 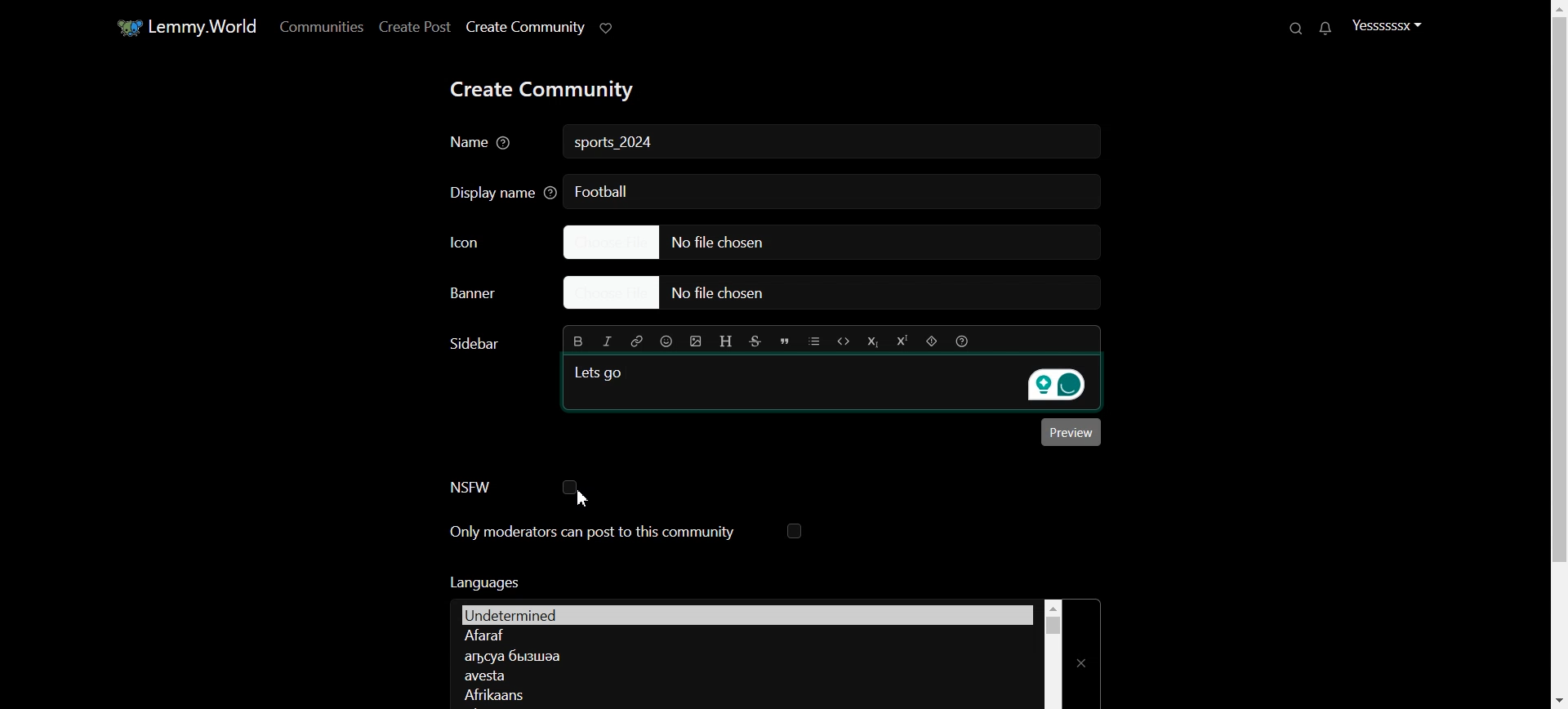 What do you see at coordinates (744, 676) in the screenshot?
I see `Language` at bounding box center [744, 676].